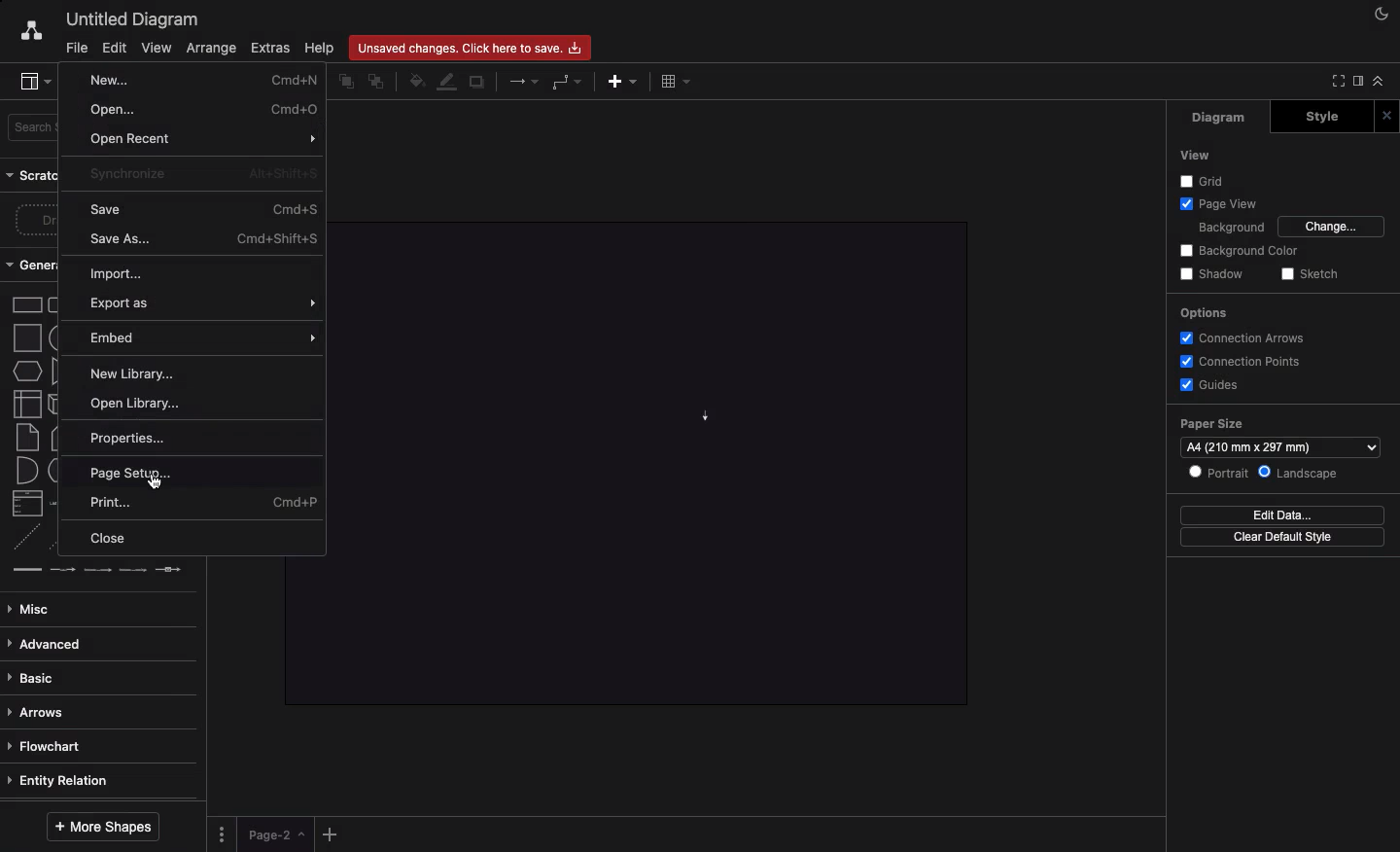 The height and width of the screenshot is (852, 1400). I want to click on Edit data, so click(1281, 515).